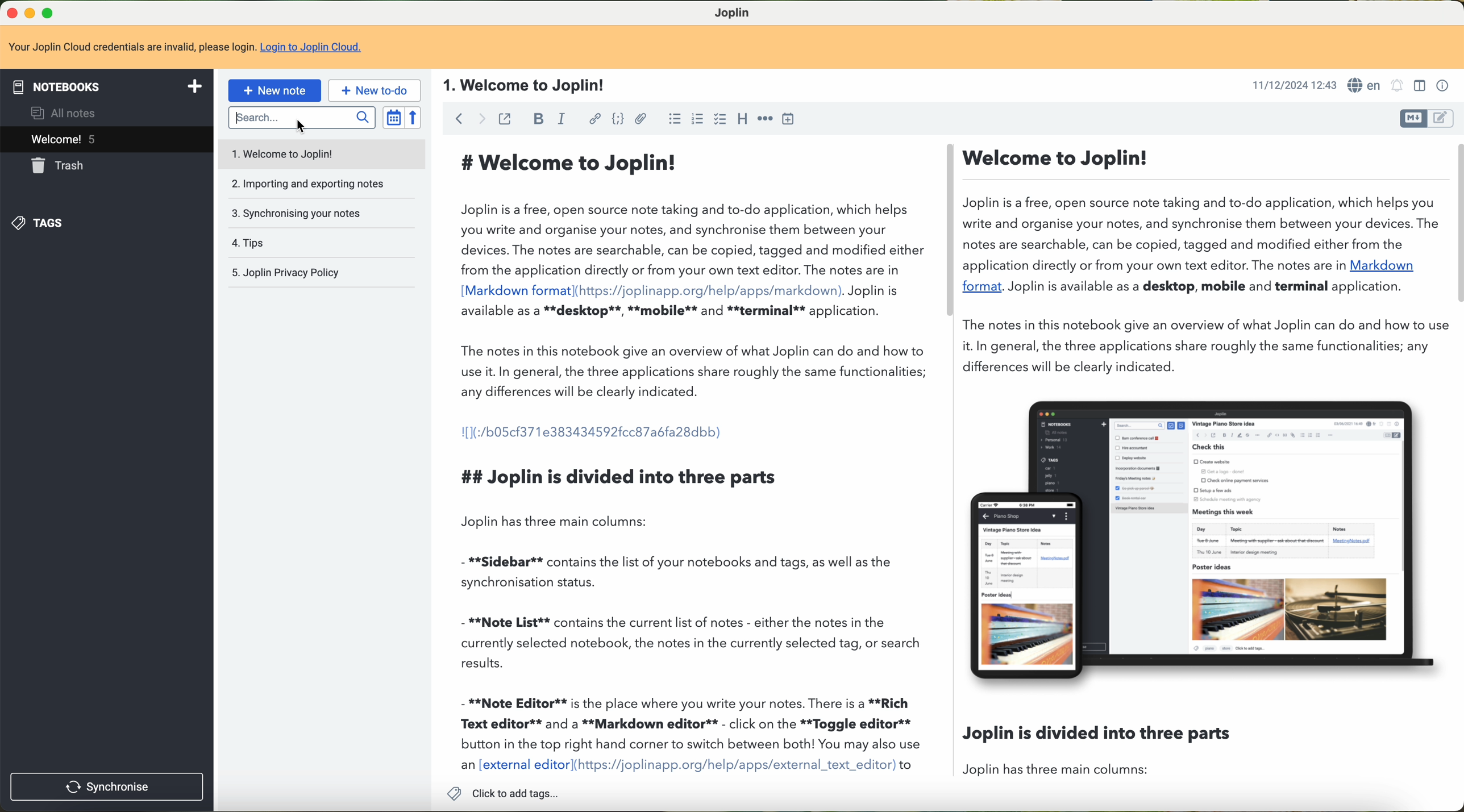  I want to click on Joplin, so click(734, 11).